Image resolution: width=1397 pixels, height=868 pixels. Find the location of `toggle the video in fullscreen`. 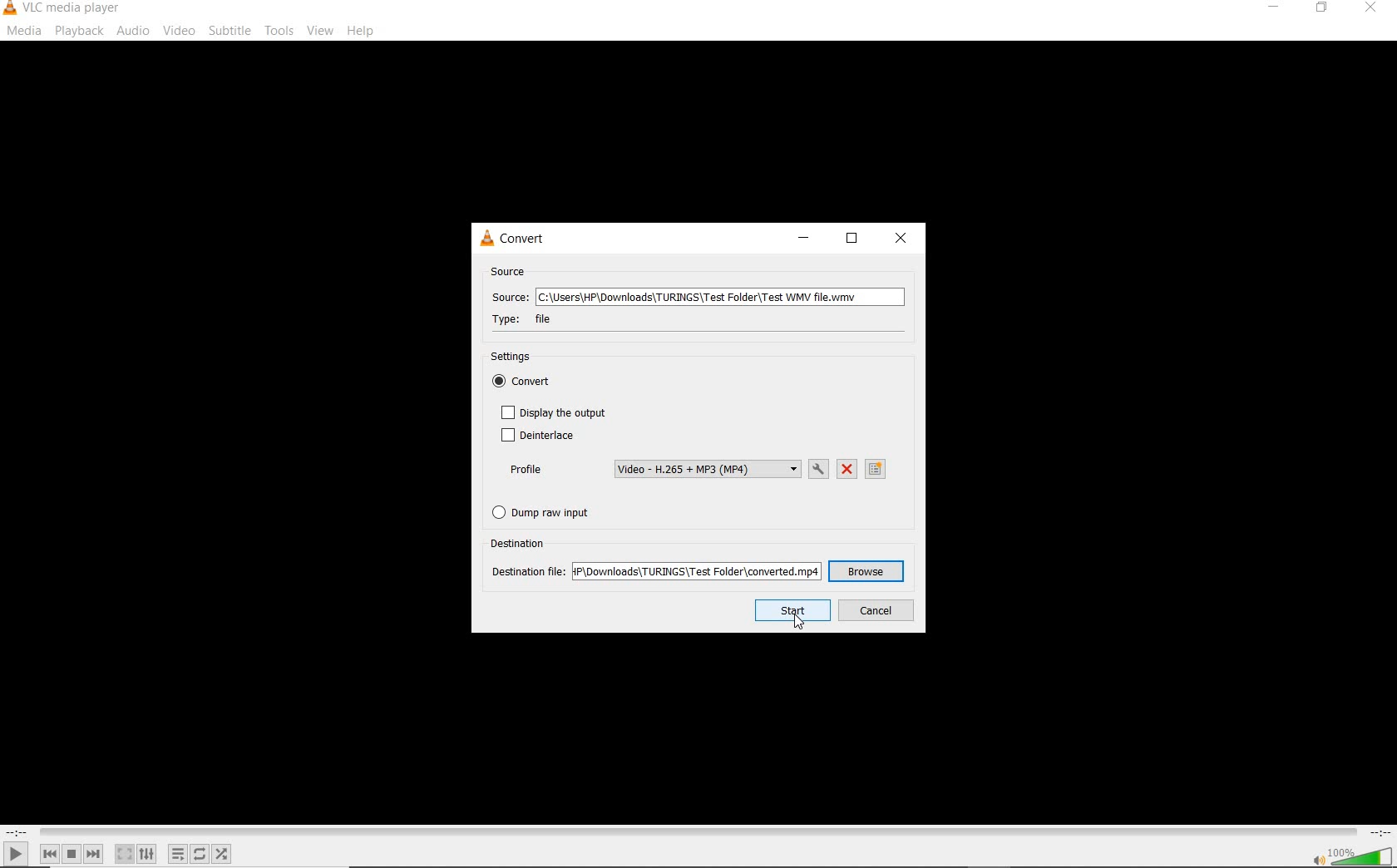

toggle the video in fullscreen is located at coordinates (124, 854).